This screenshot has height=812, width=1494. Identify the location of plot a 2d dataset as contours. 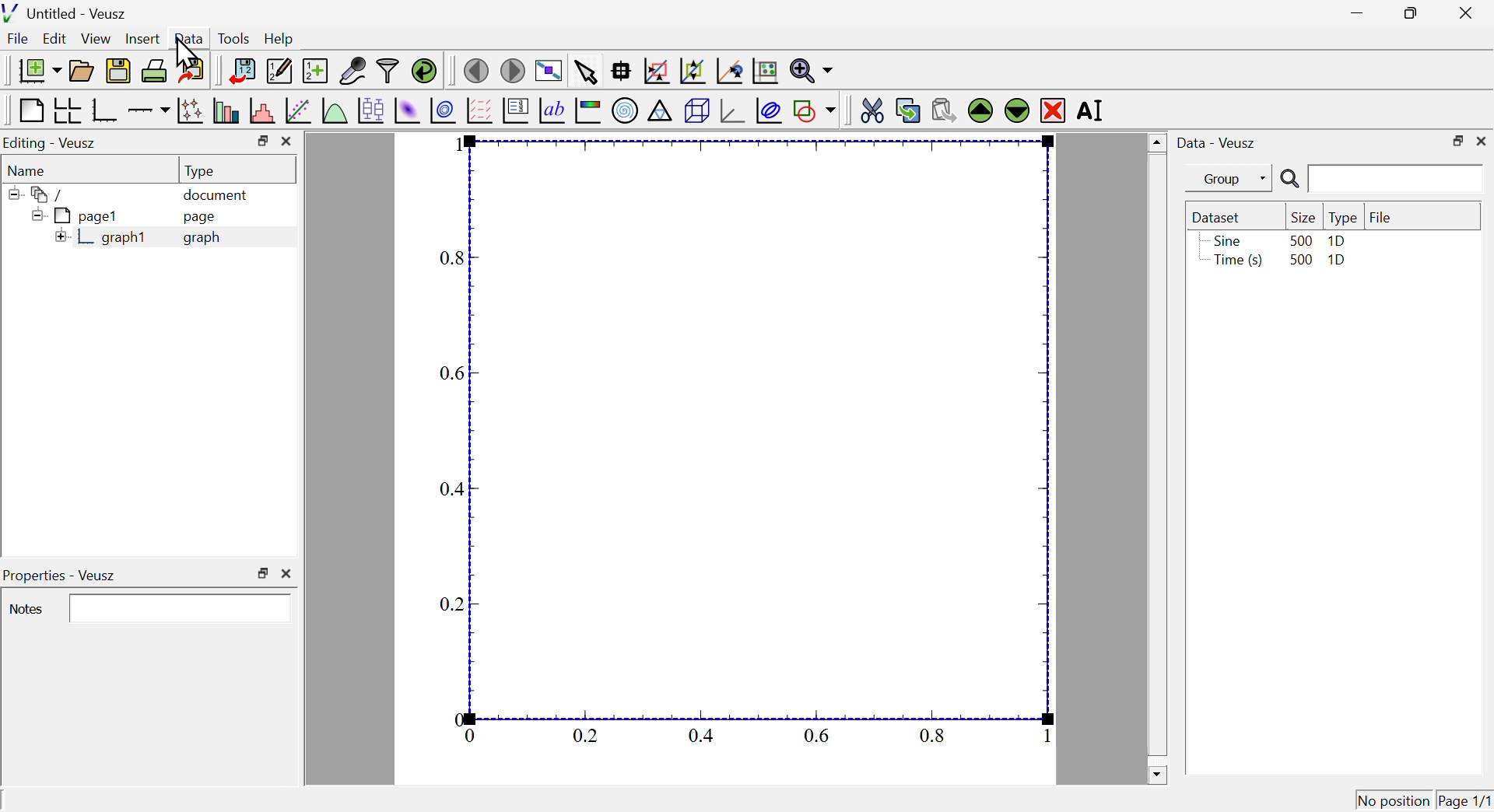
(443, 110).